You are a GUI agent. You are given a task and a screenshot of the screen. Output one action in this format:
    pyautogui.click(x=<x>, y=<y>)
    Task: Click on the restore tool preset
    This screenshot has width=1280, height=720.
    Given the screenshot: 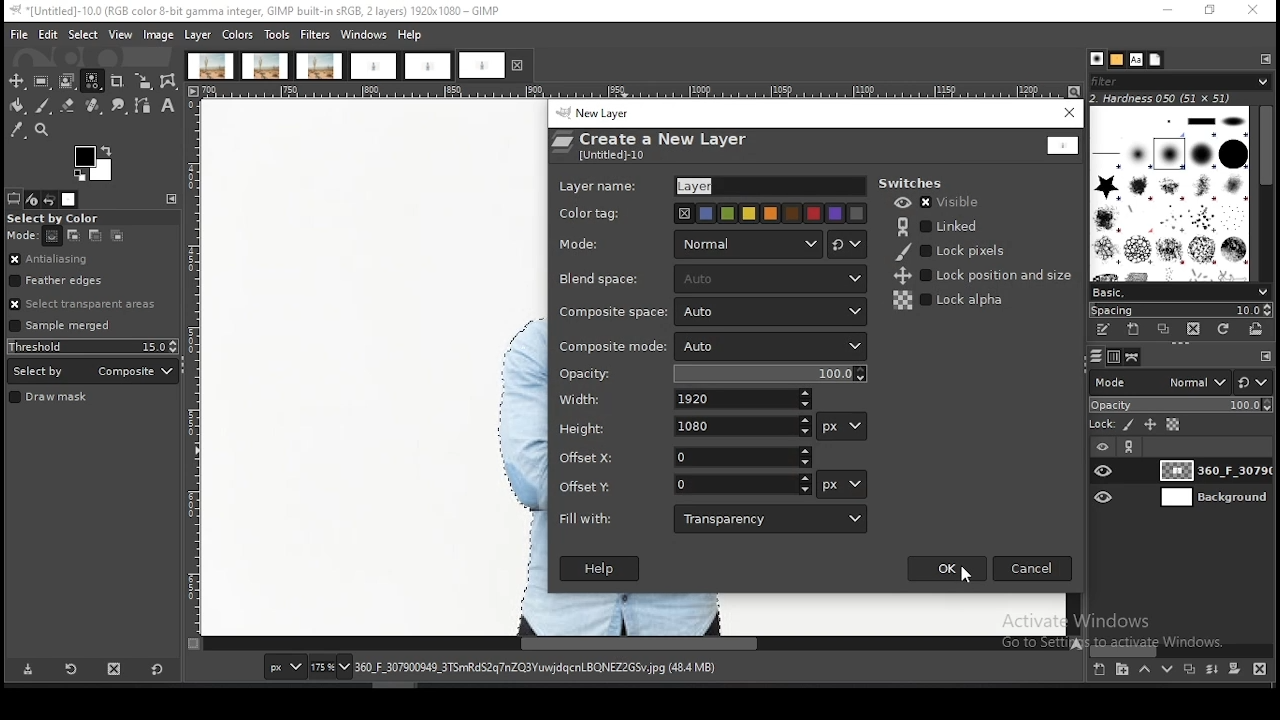 What is the action you would take?
    pyautogui.click(x=73, y=668)
    